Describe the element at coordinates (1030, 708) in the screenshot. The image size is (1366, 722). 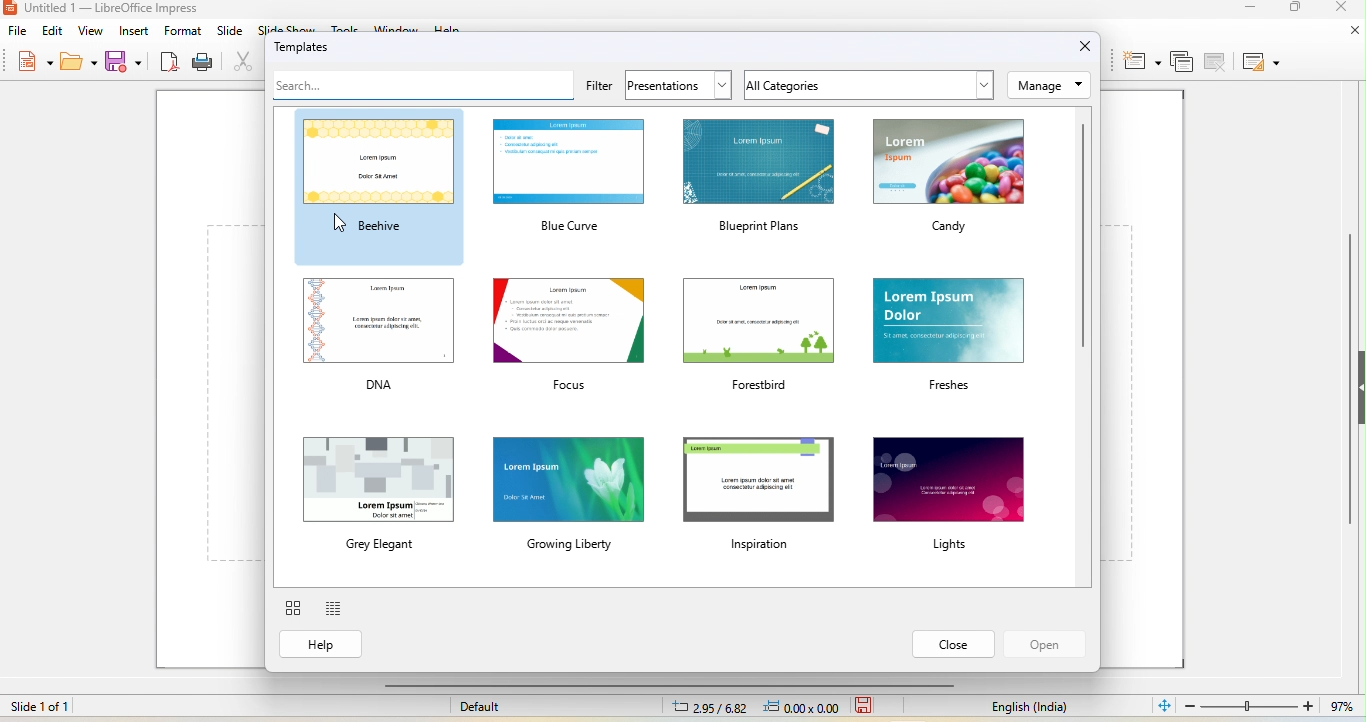
I see `English (India)` at that location.